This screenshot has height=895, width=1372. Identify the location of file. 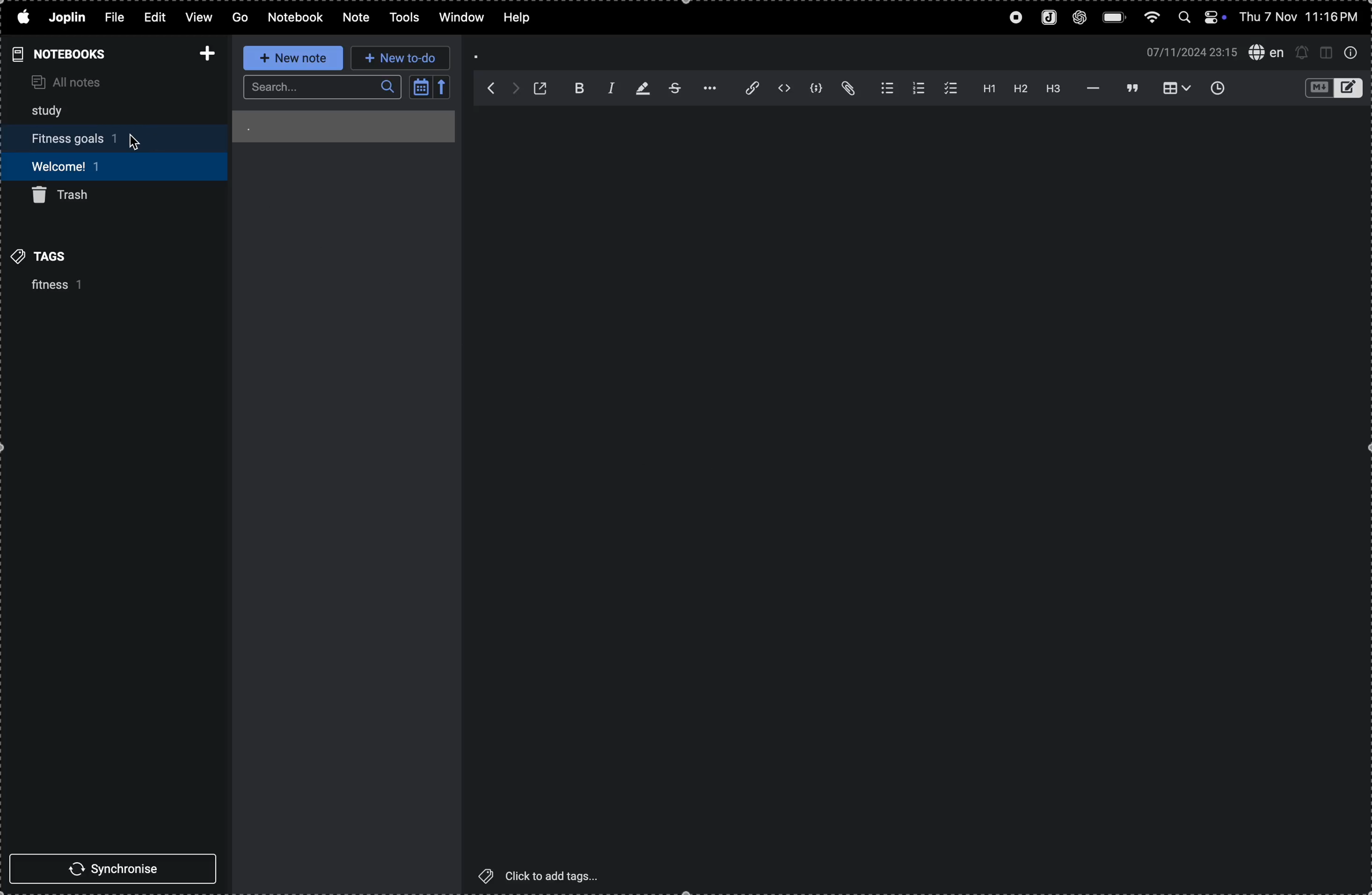
(118, 18).